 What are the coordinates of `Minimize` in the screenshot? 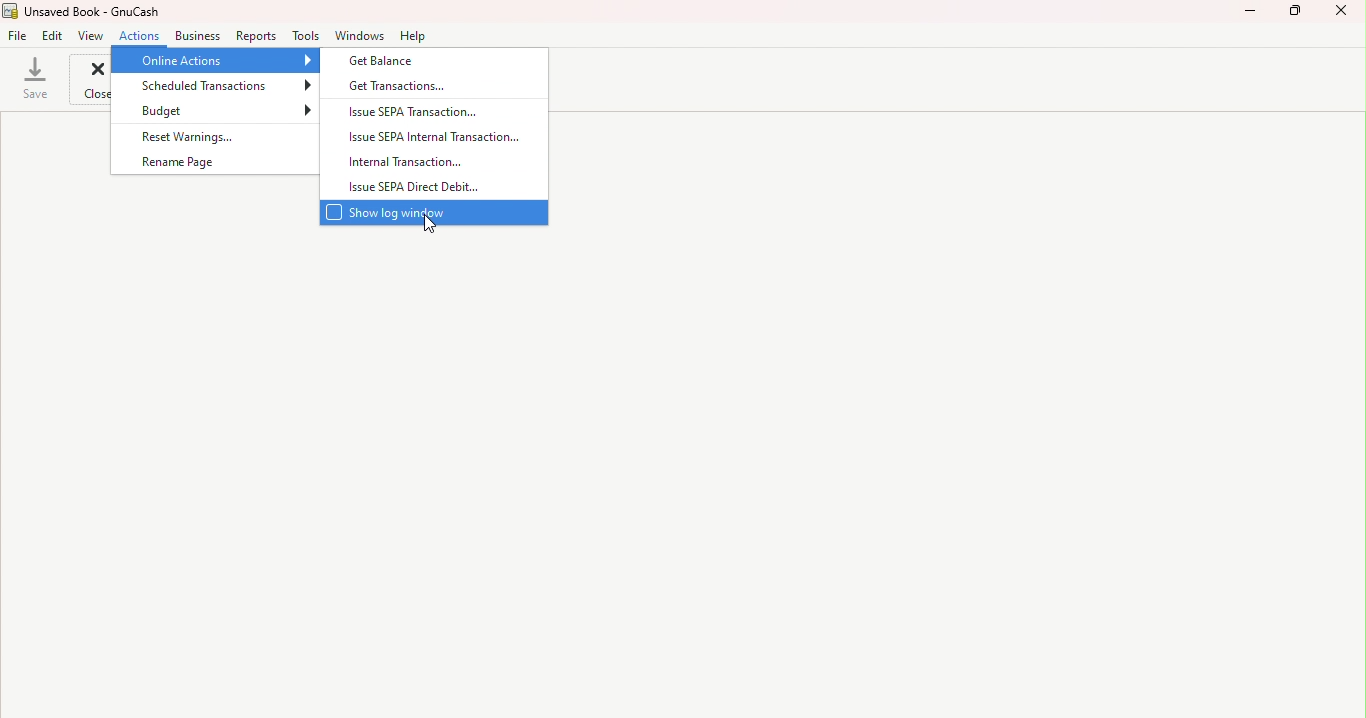 It's located at (1250, 17).